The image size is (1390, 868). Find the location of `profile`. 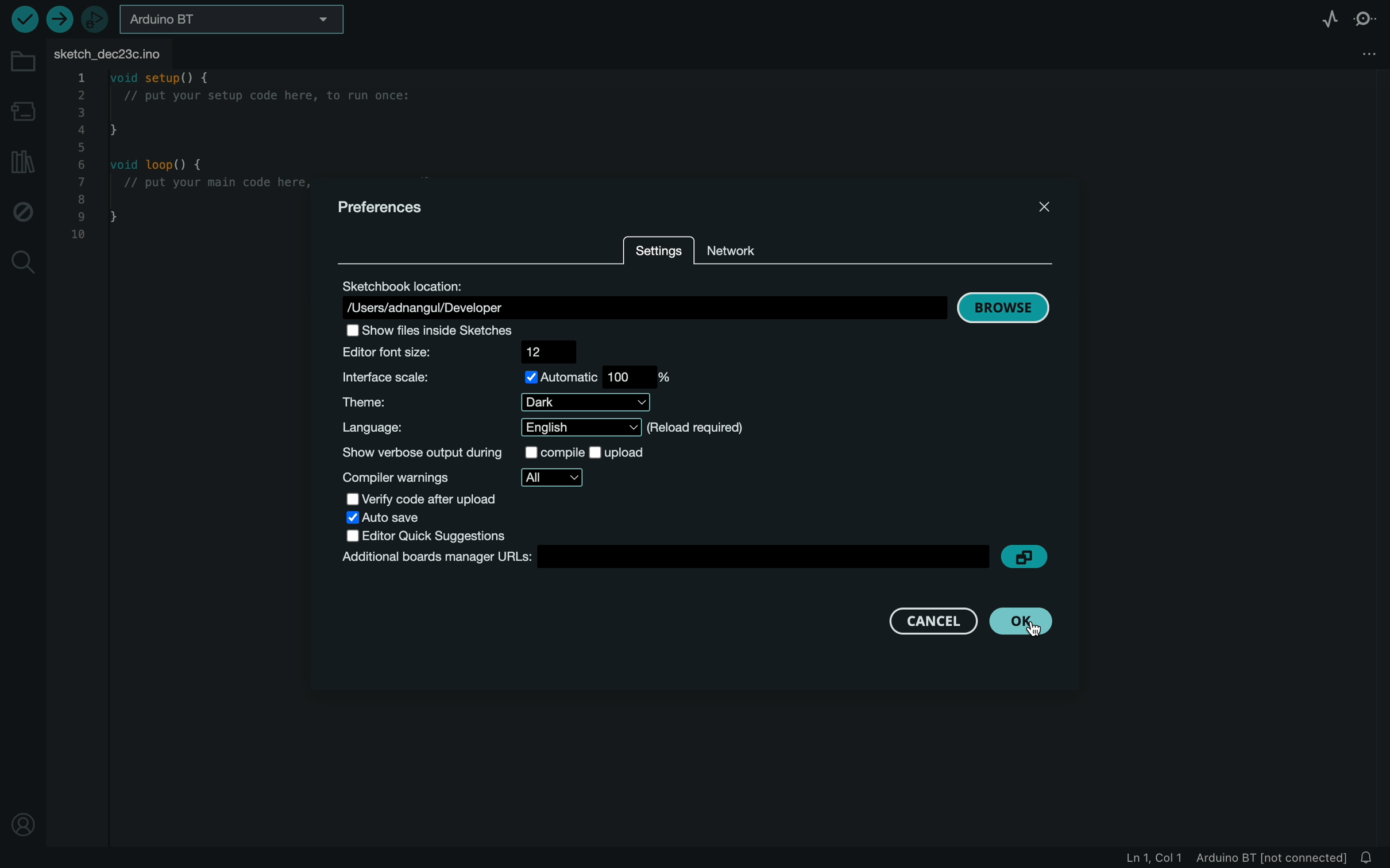

profile is located at coordinates (26, 824).